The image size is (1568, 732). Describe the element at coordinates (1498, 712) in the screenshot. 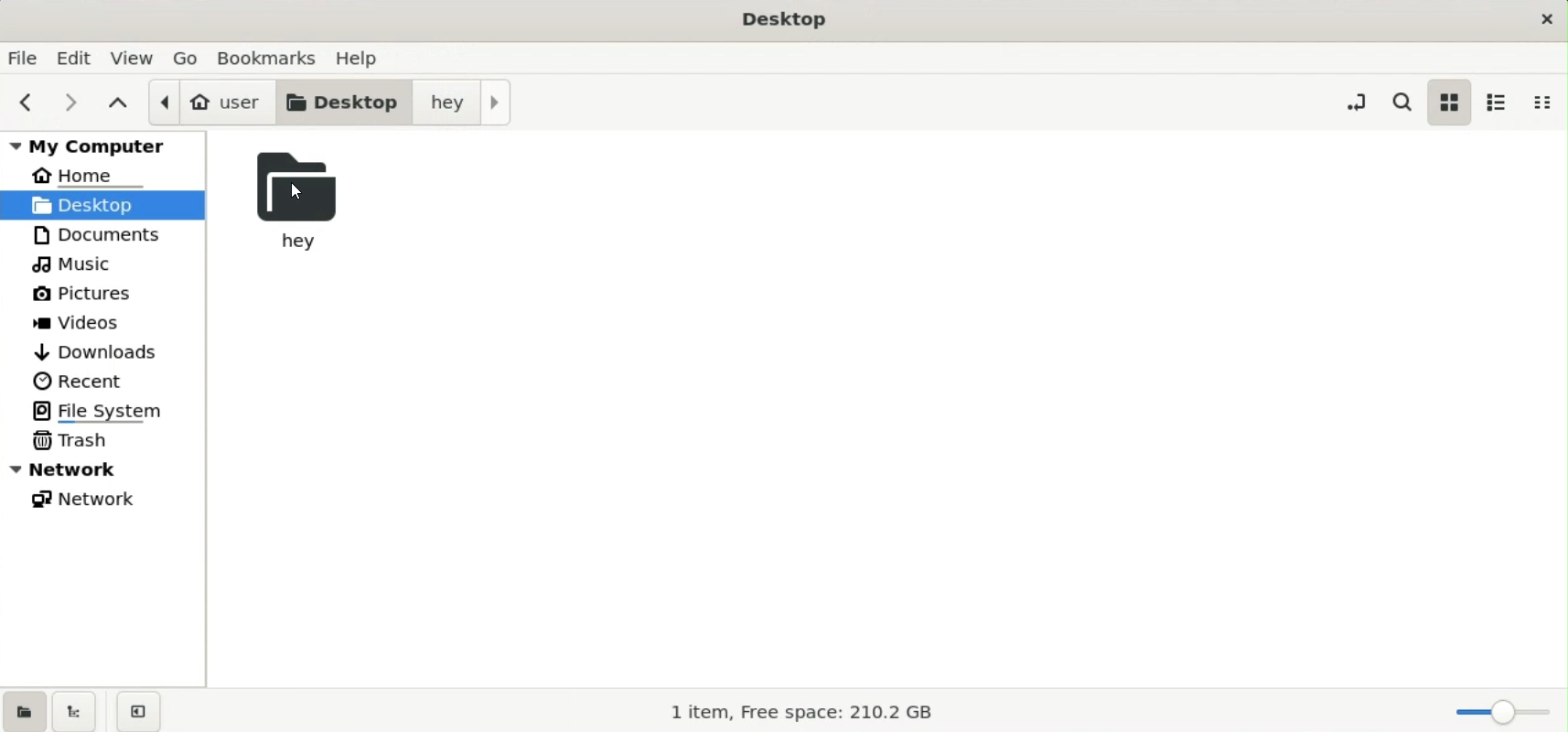

I see `zoom` at that location.